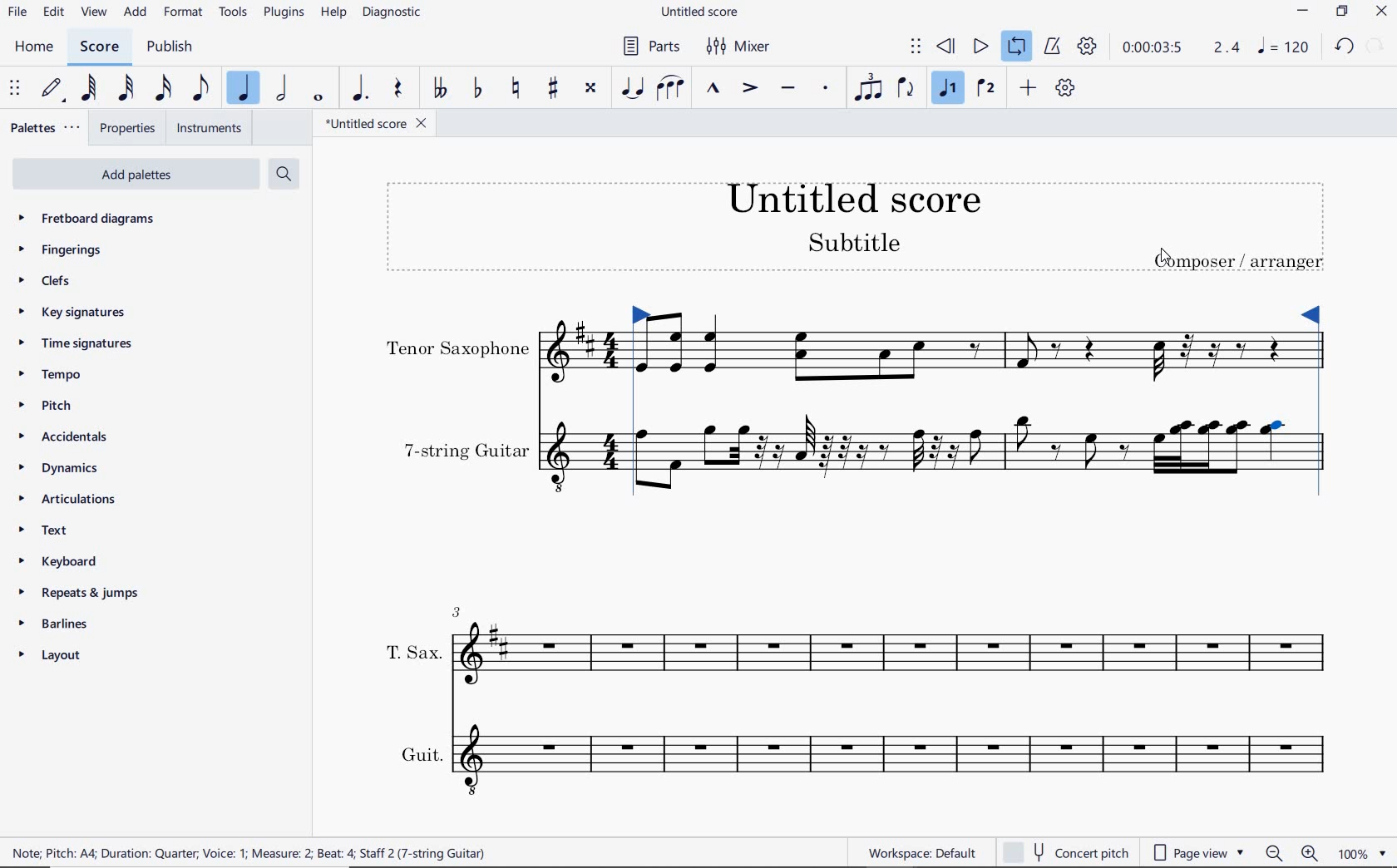 The height and width of the screenshot is (868, 1397). What do you see at coordinates (39, 529) in the screenshot?
I see `TEXT` at bounding box center [39, 529].